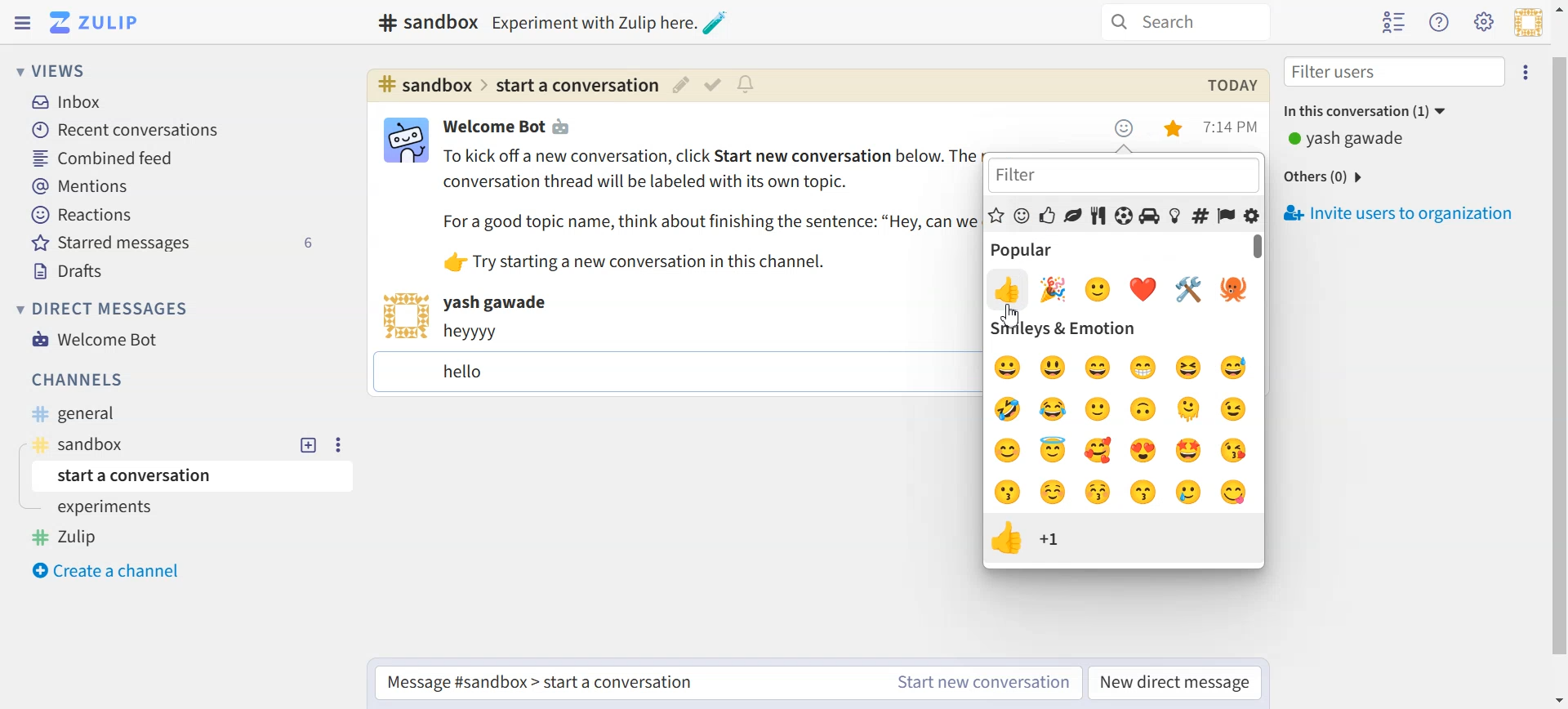  Describe the element at coordinates (679, 84) in the screenshot. I see `Edit topic` at that location.